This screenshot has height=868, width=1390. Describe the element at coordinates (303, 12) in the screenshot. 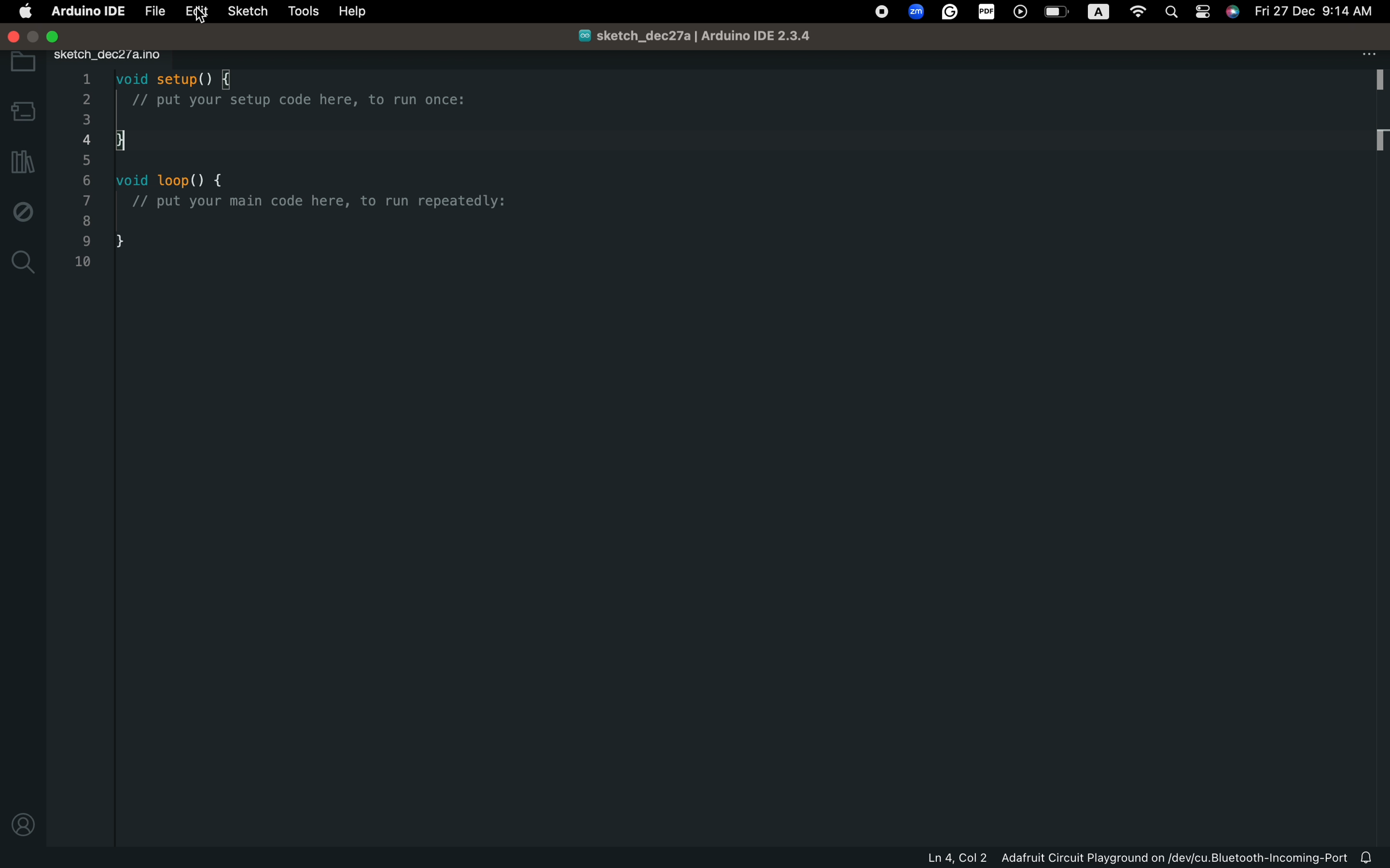

I see `tools` at that location.